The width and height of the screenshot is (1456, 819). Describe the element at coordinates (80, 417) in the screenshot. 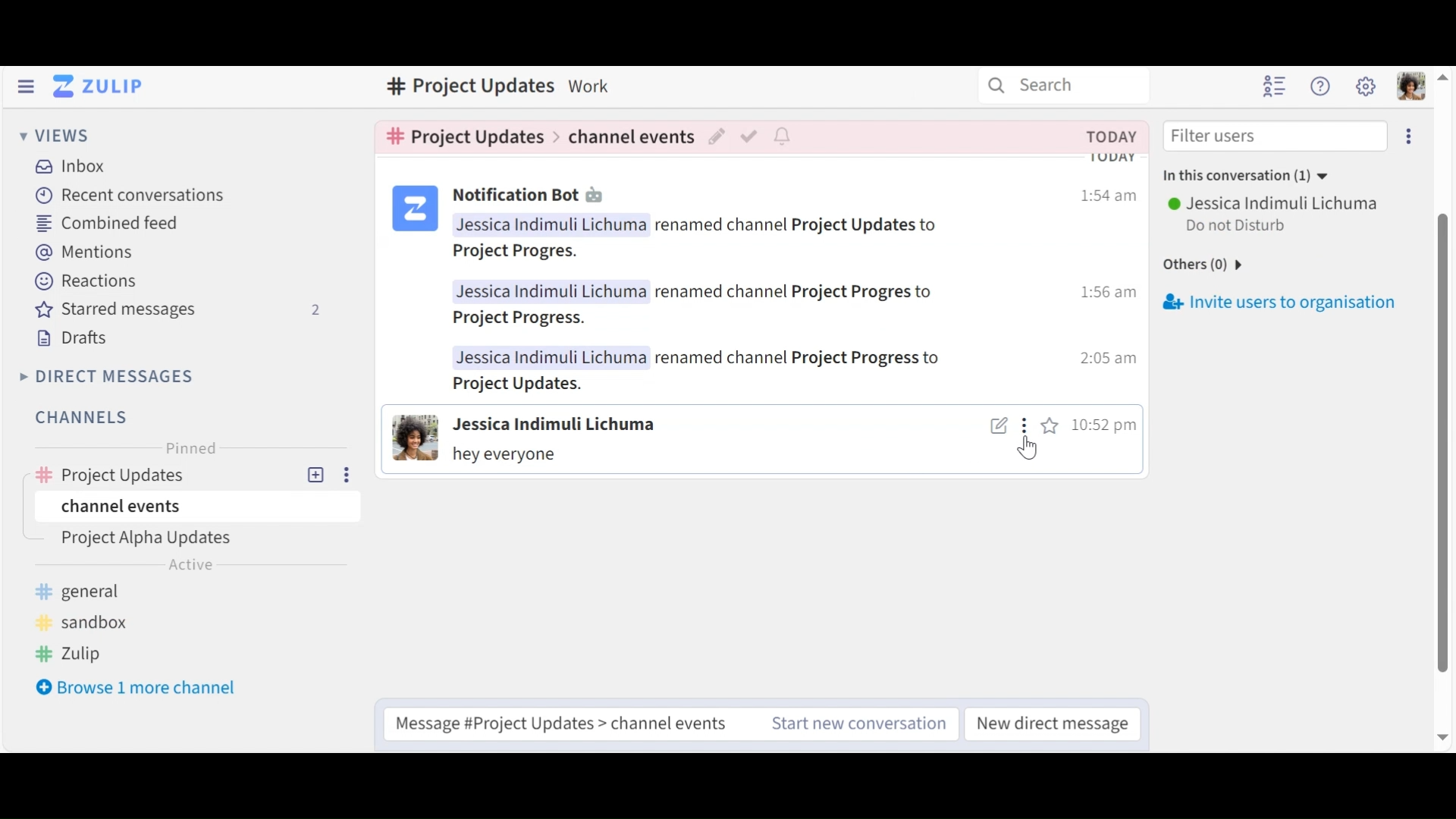

I see `Channels` at that location.